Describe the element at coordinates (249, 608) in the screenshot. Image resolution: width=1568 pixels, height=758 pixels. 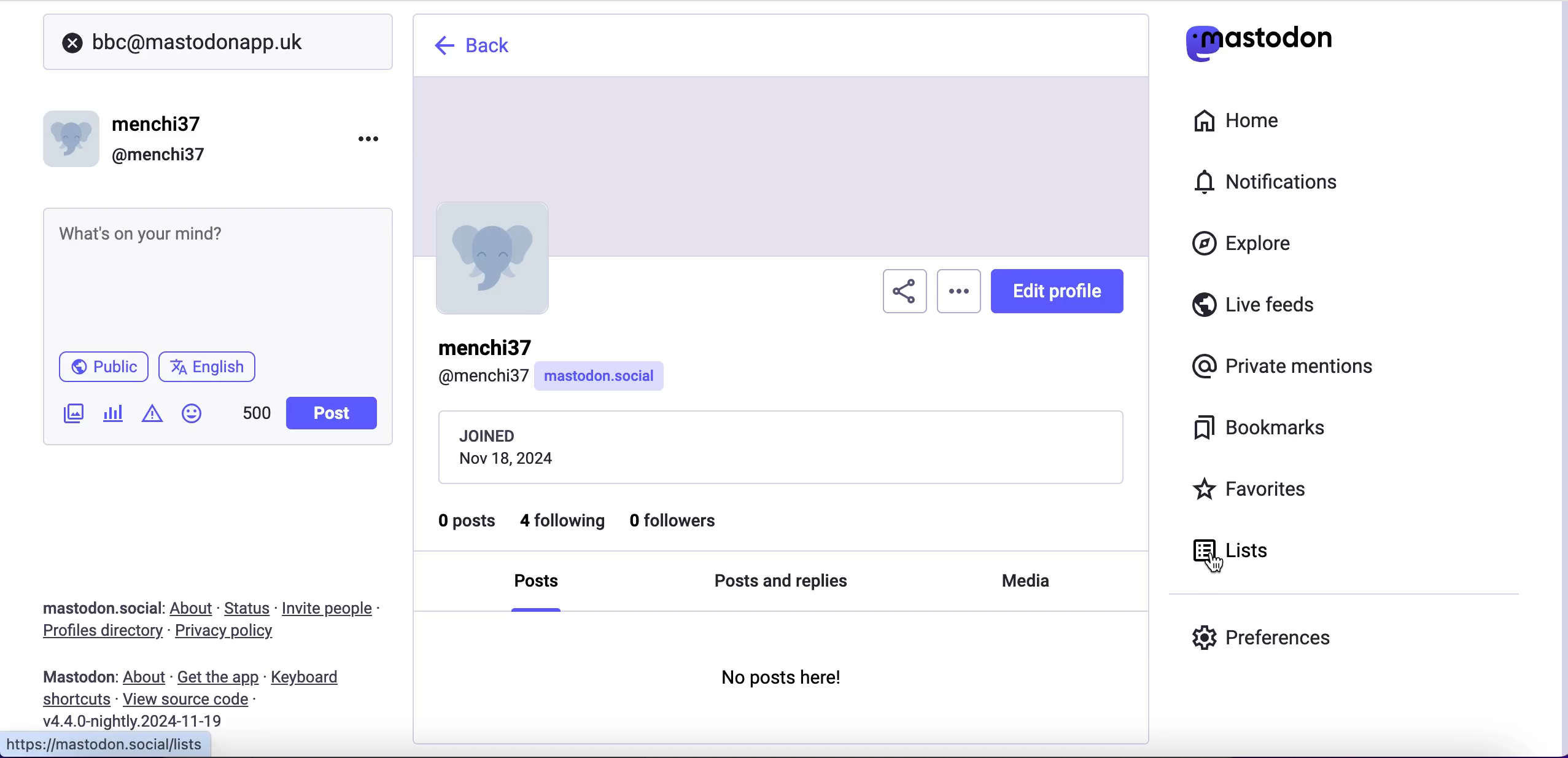
I see `status` at that location.